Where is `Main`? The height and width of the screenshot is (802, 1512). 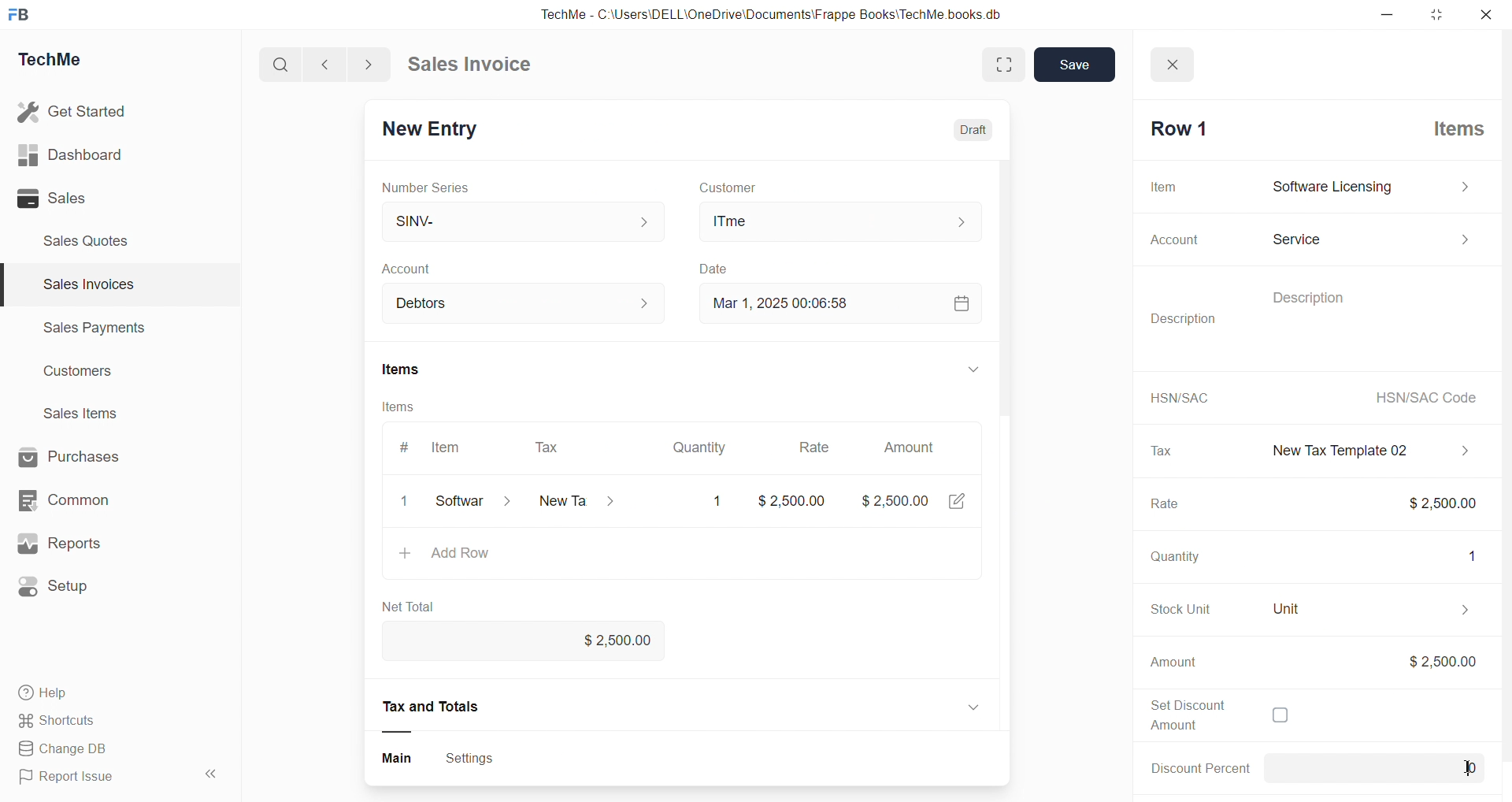 Main is located at coordinates (395, 756).